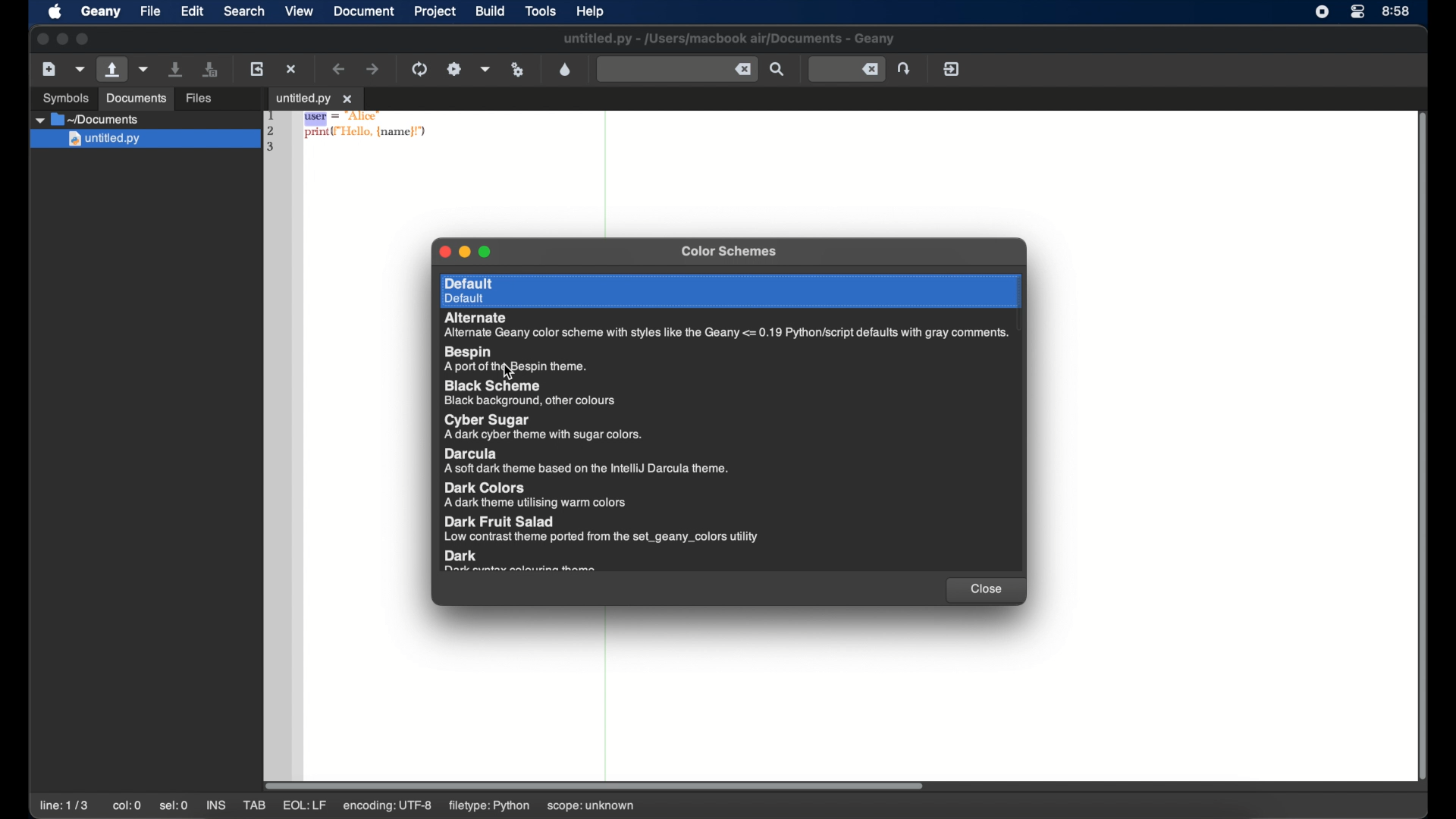 This screenshot has width=1456, height=819. What do you see at coordinates (522, 561) in the screenshot?
I see `dark ` at bounding box center [522, 561].